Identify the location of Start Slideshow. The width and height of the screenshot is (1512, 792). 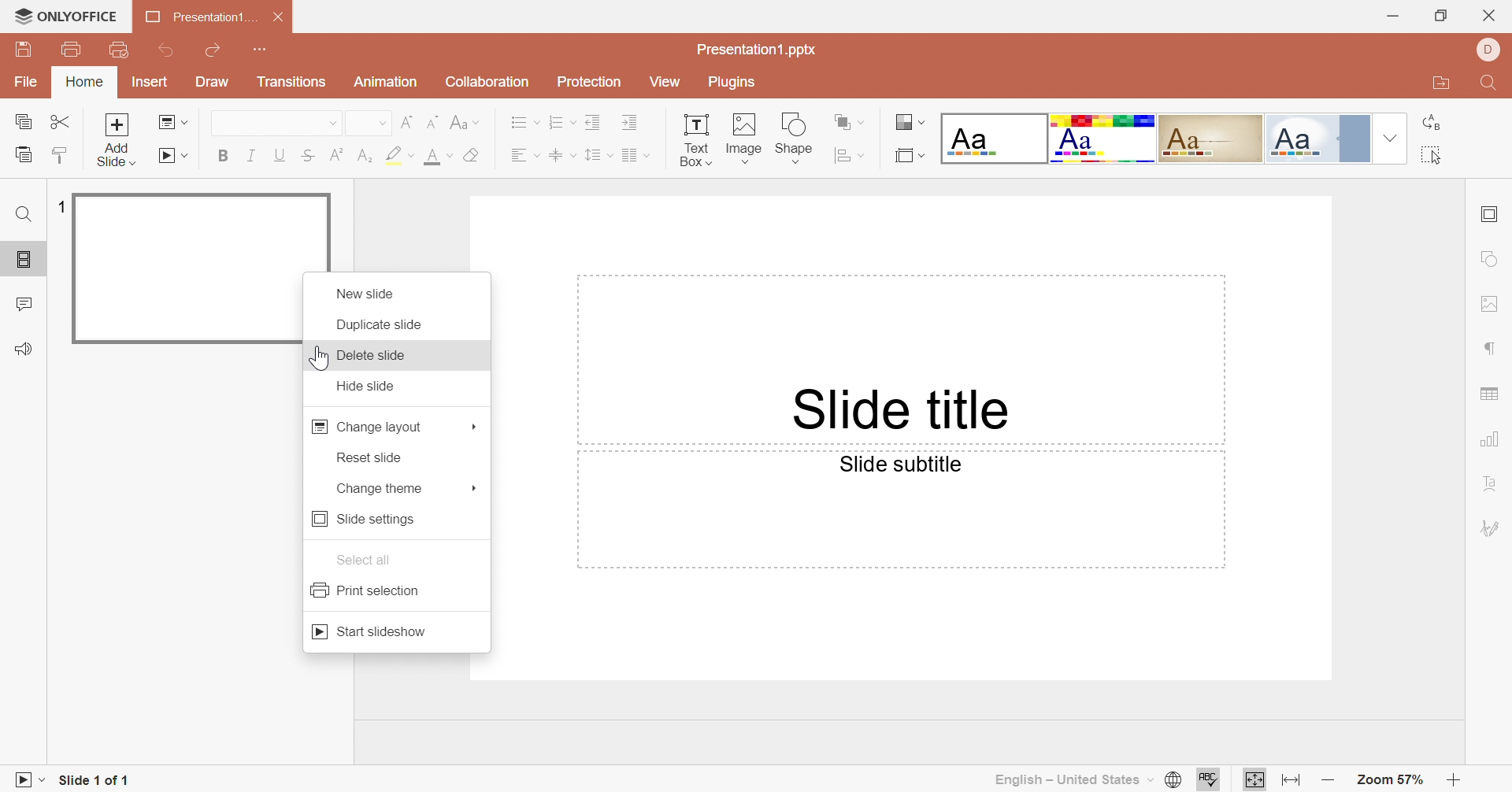
(369, 630).